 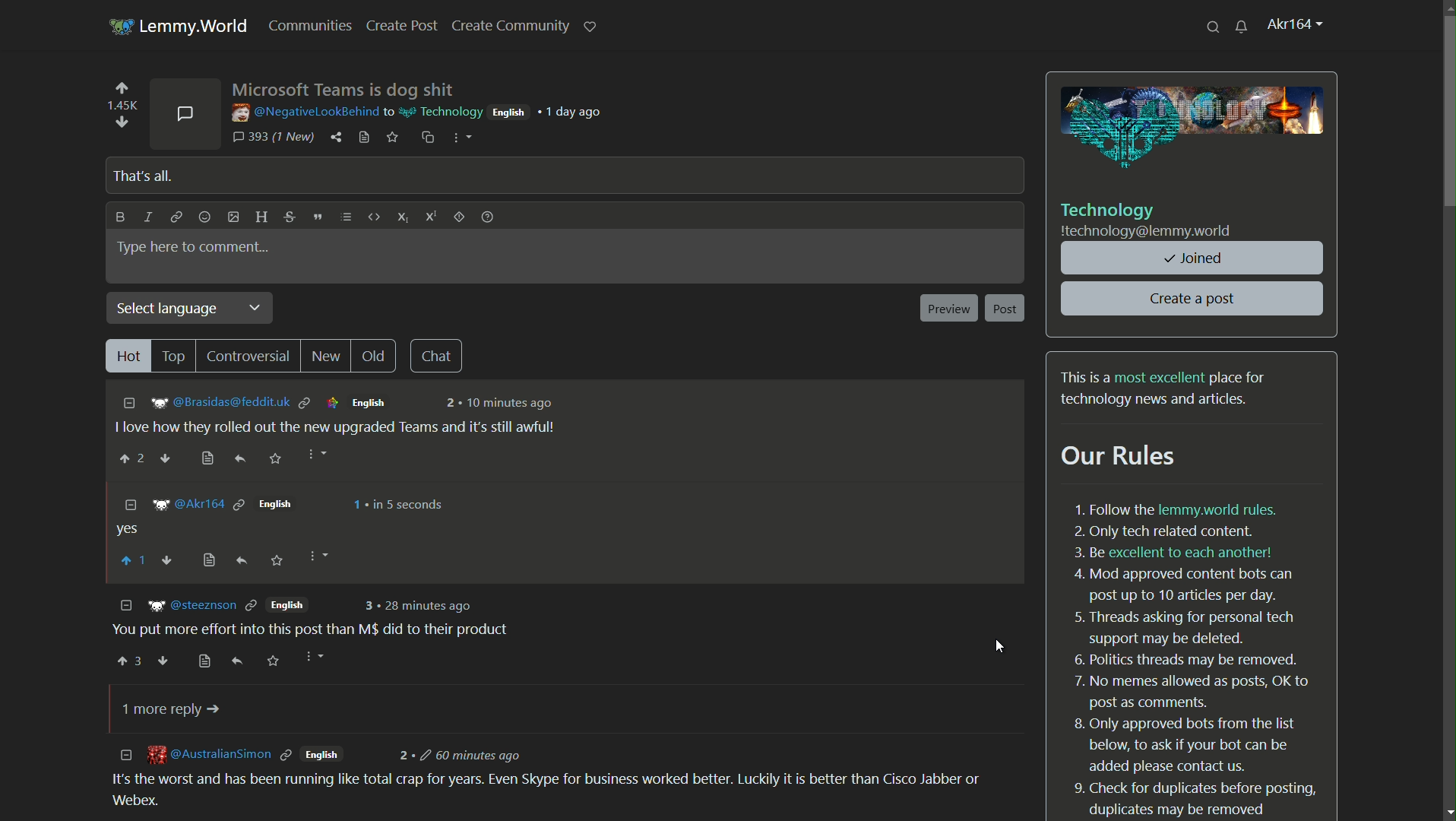 What do you see at coordinates (426, 137) in the screenshot?
I see `copy` at bounding box center [426, 137].